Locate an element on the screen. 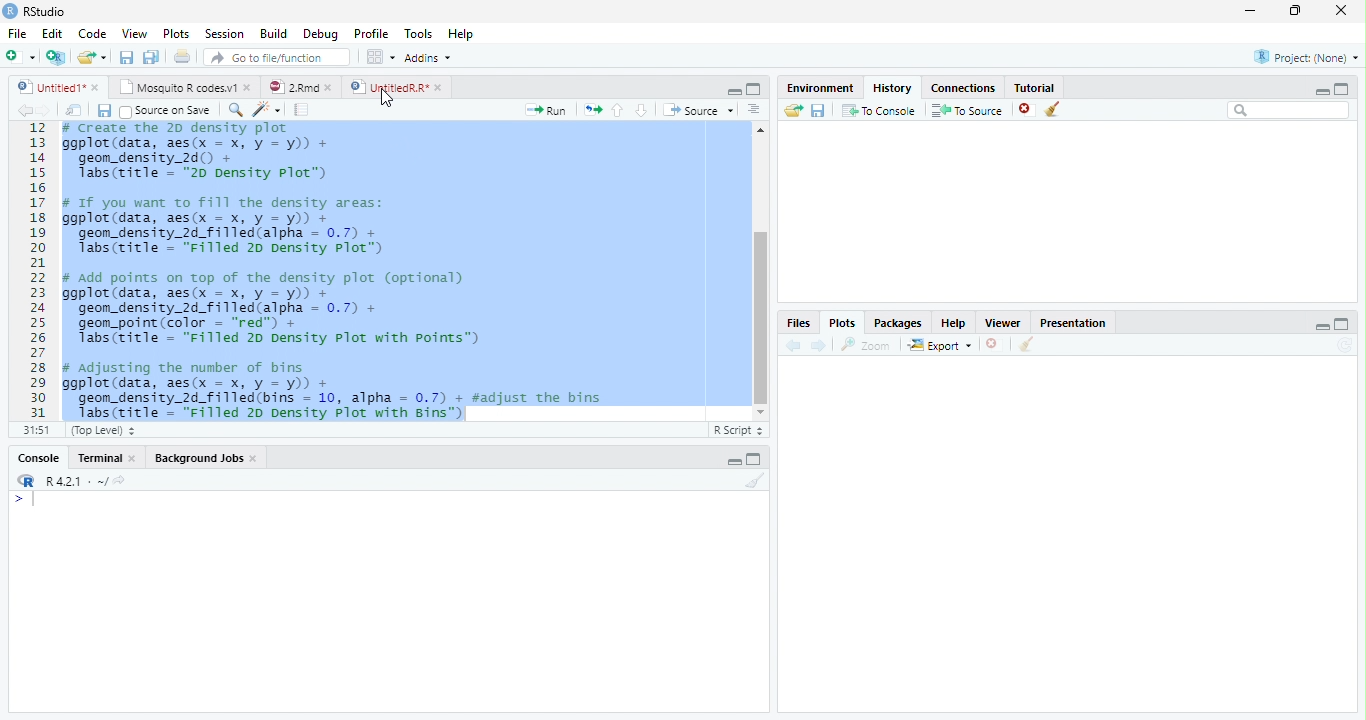 Image resolution: width=1366 pixels, height=720 pixels. Plots is located at coordinates (841, 322).